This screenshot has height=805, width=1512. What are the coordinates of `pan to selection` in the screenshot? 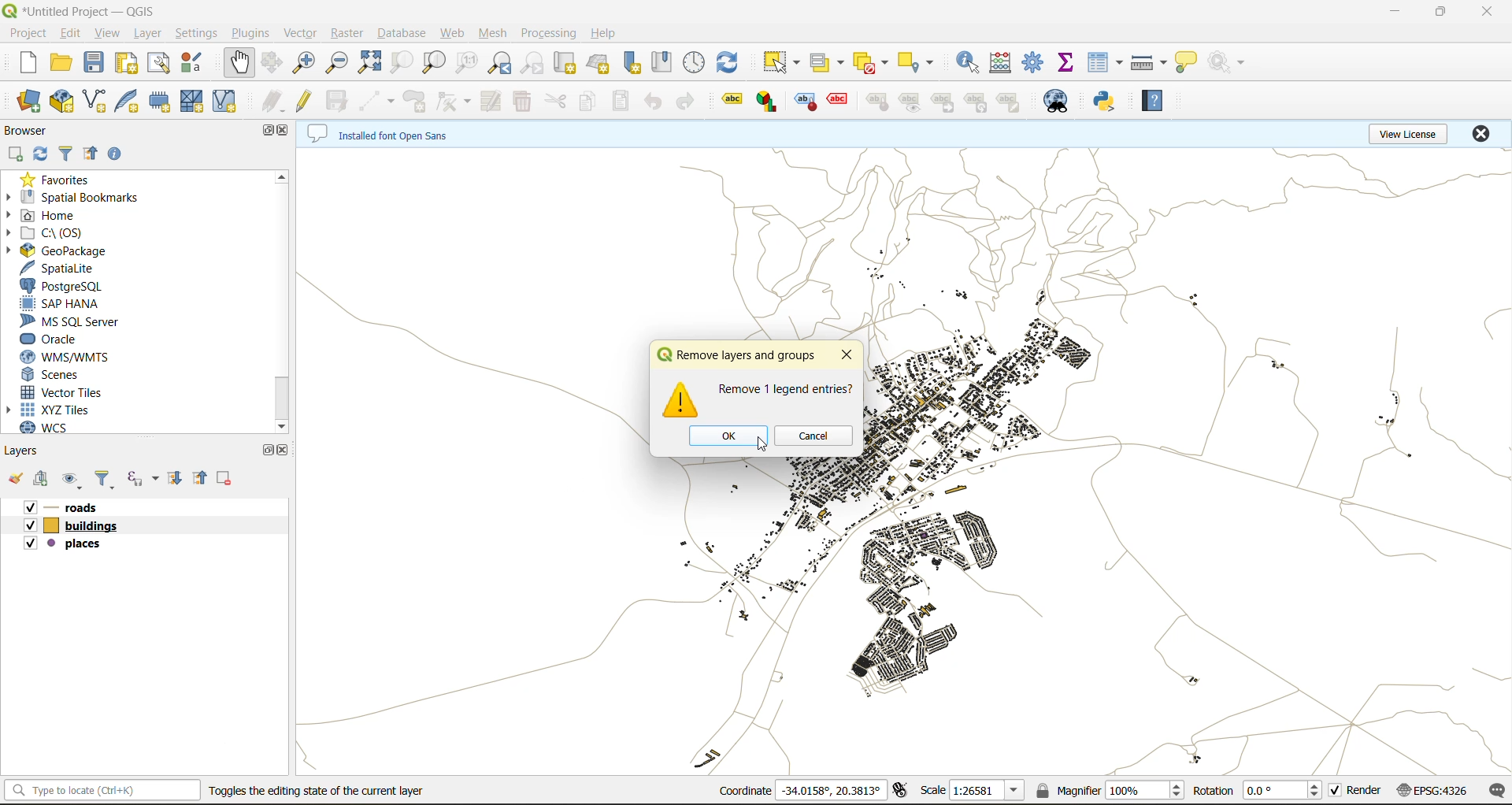 It's located at (274, 63).